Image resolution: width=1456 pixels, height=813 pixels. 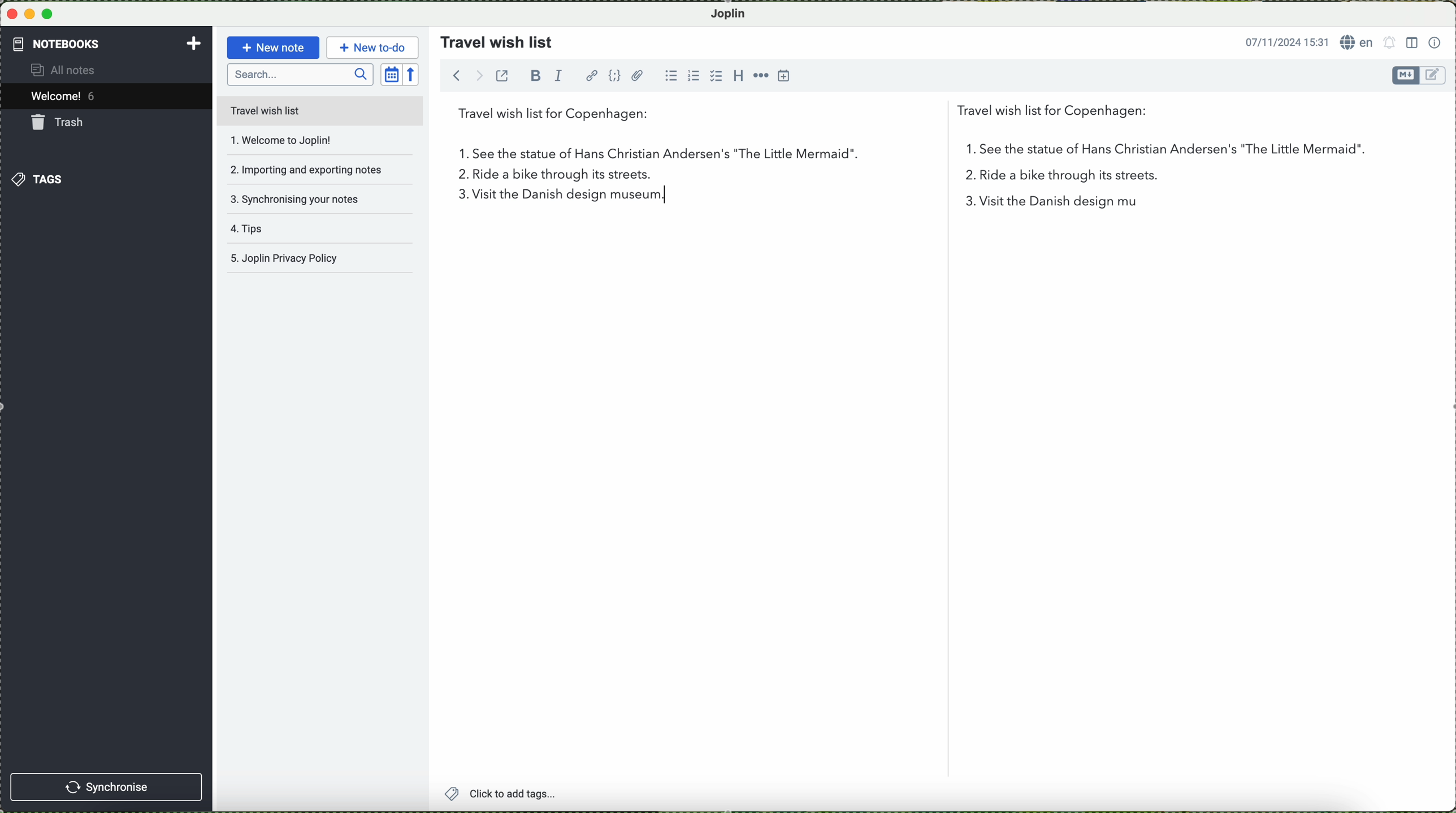 I want to click on synchronise button, so click(x=108, y=786).